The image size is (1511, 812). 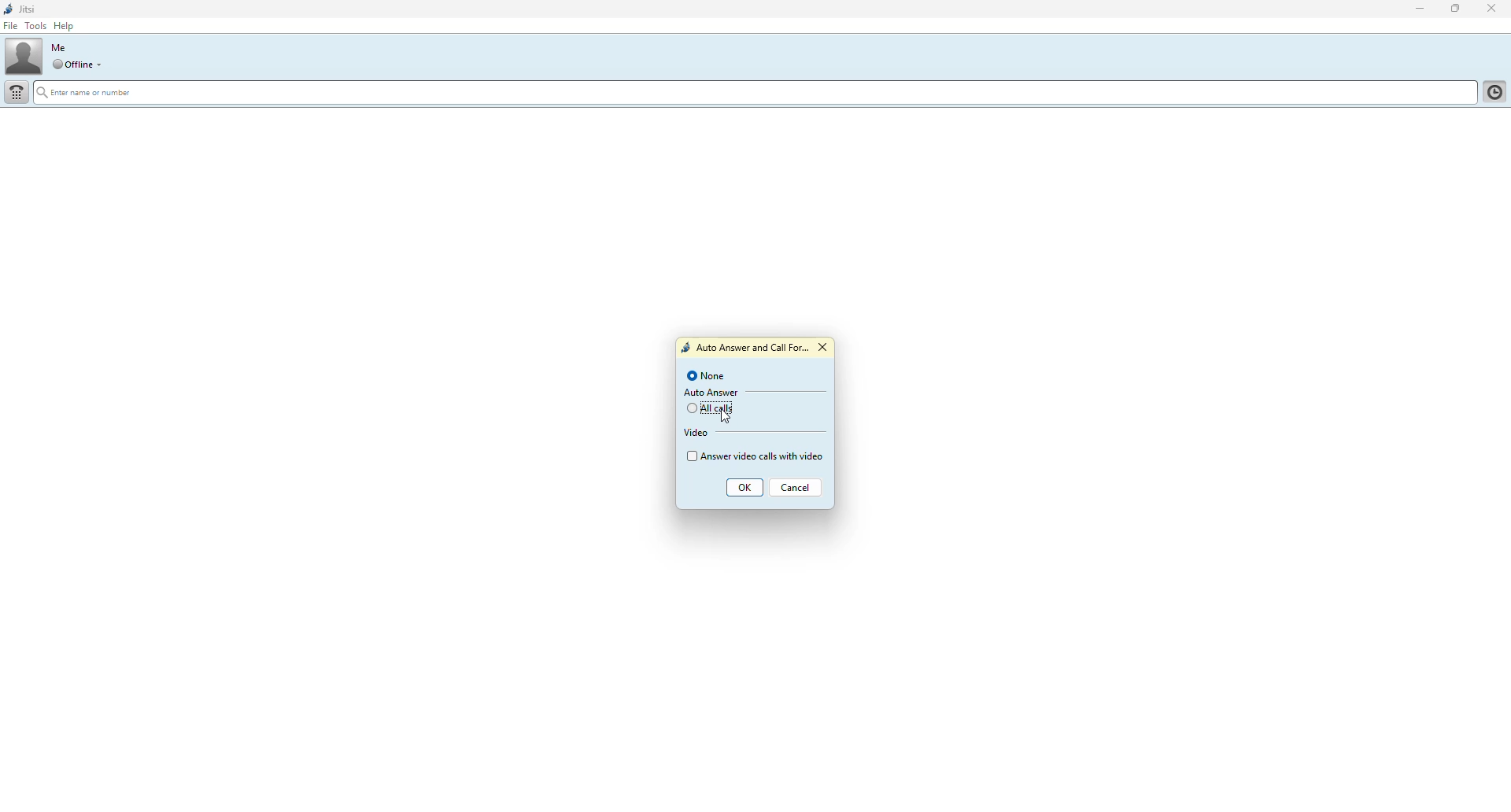 What do you see at coordinates (796, 489) in the screenshot?
I see `cancel` at bounding box center [796, 489].